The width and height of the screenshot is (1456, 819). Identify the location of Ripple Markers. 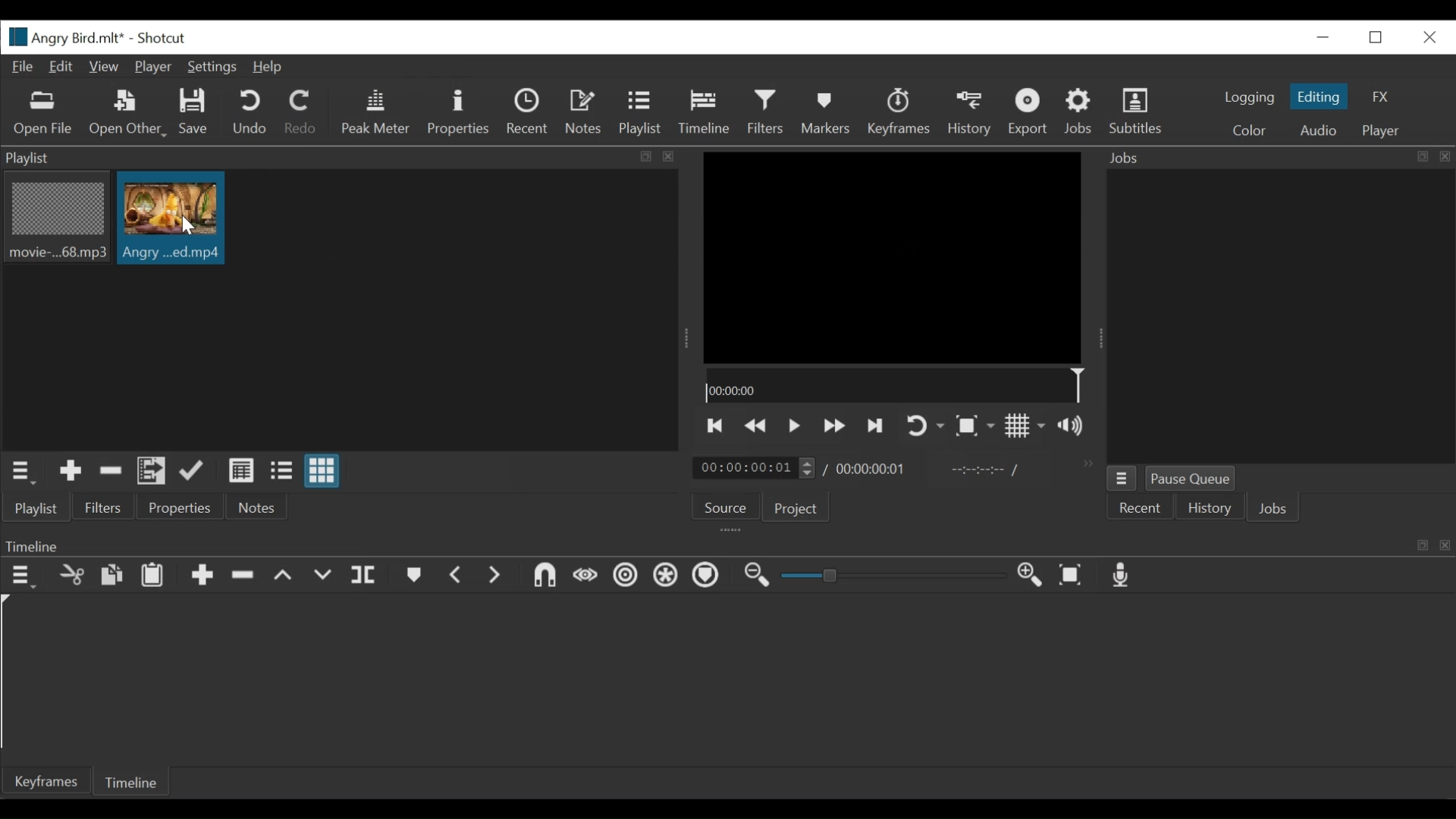
(708, 576).